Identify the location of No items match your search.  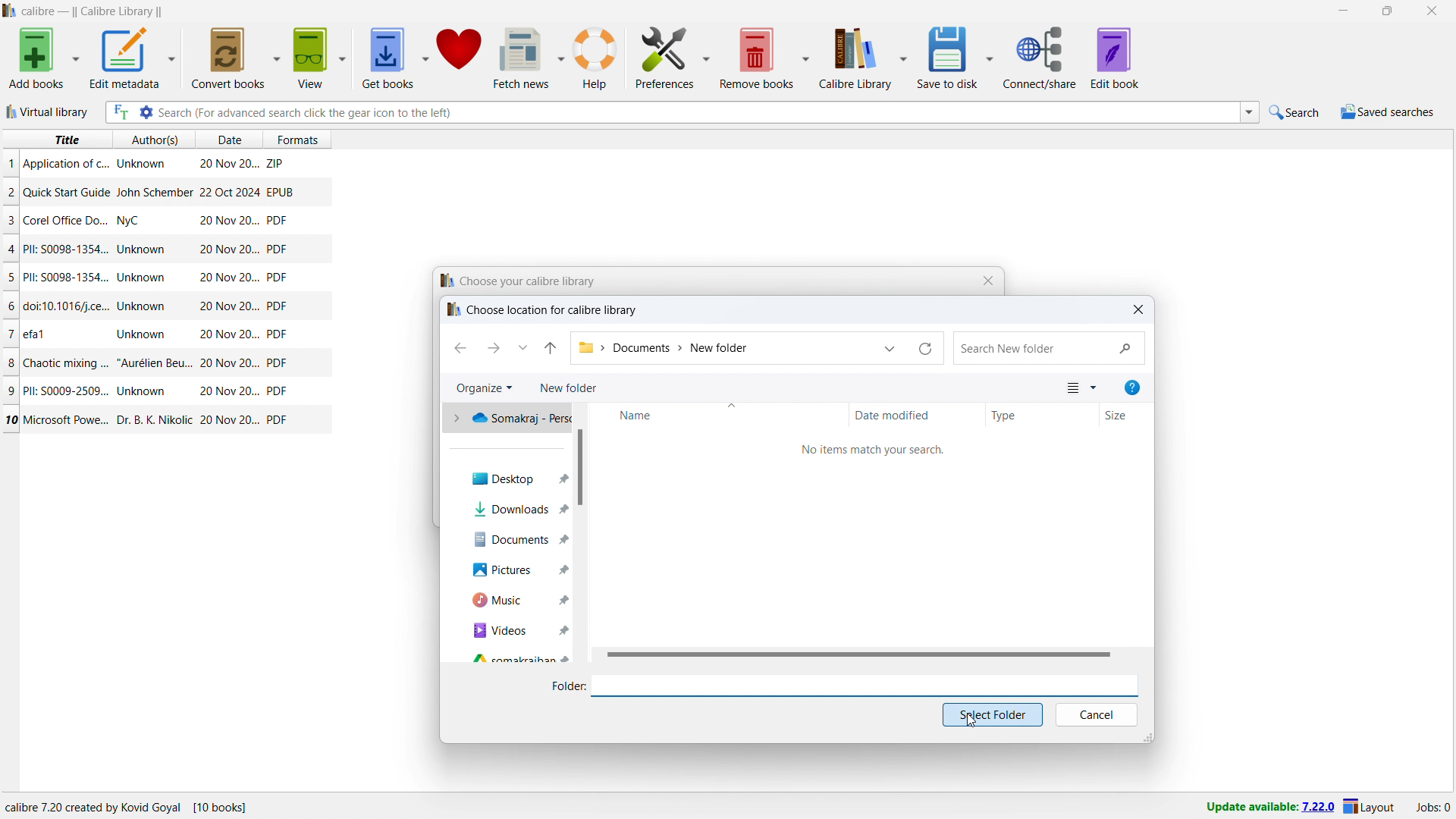
(864, 450).